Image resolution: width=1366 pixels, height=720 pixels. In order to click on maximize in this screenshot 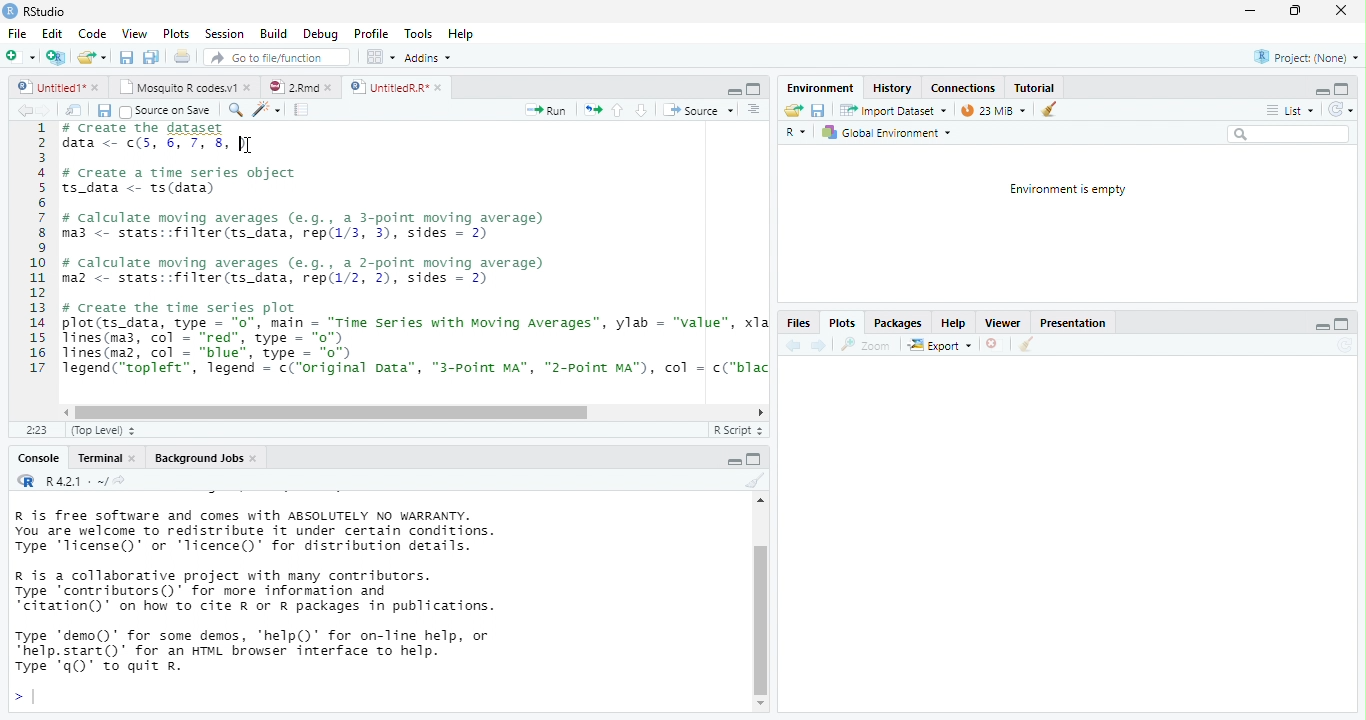, I will do `click(1342, 88)`.